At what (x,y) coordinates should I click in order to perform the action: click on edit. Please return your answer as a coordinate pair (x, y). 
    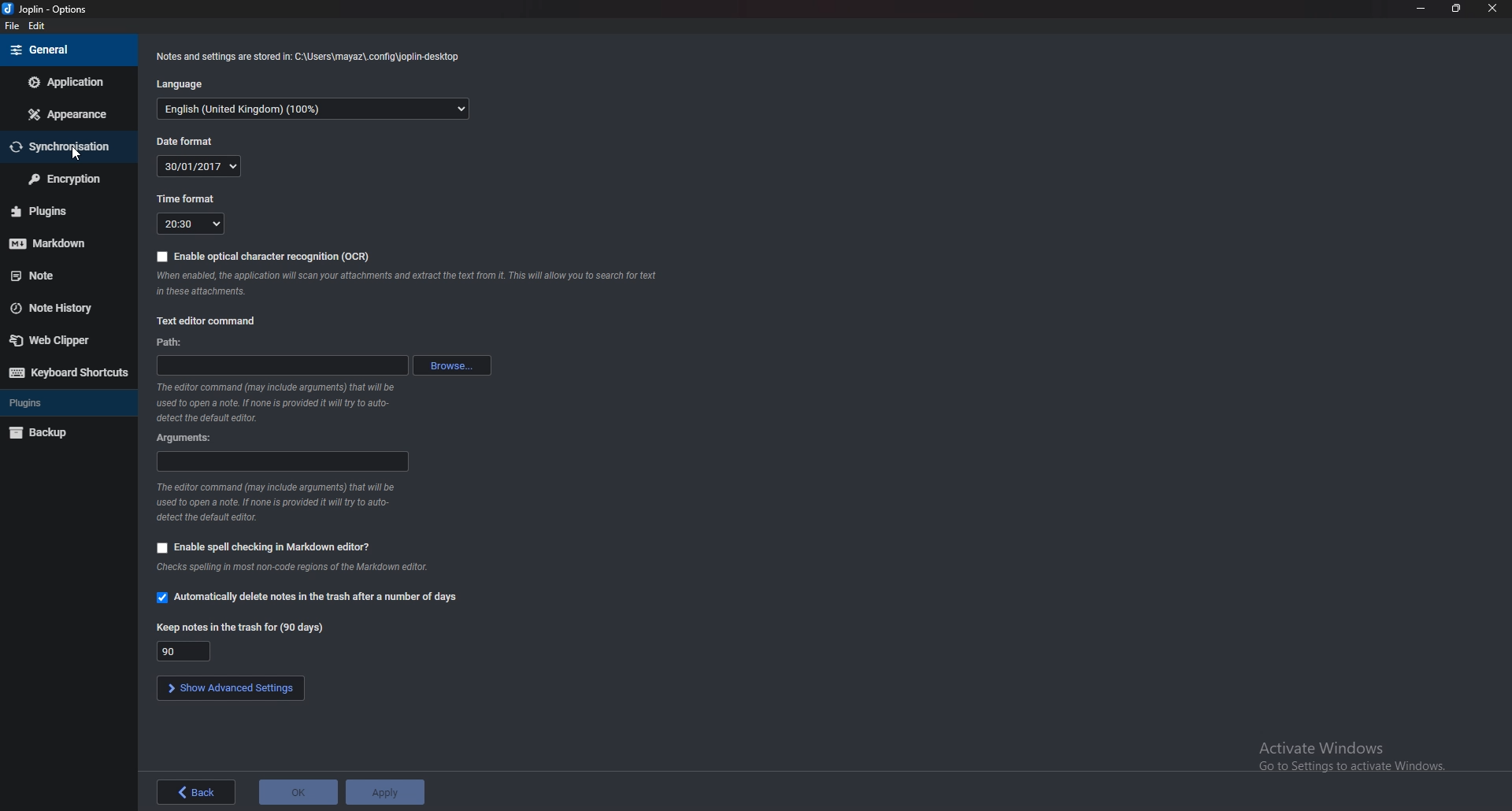
    Looking at the image, I should click on (39, 27).